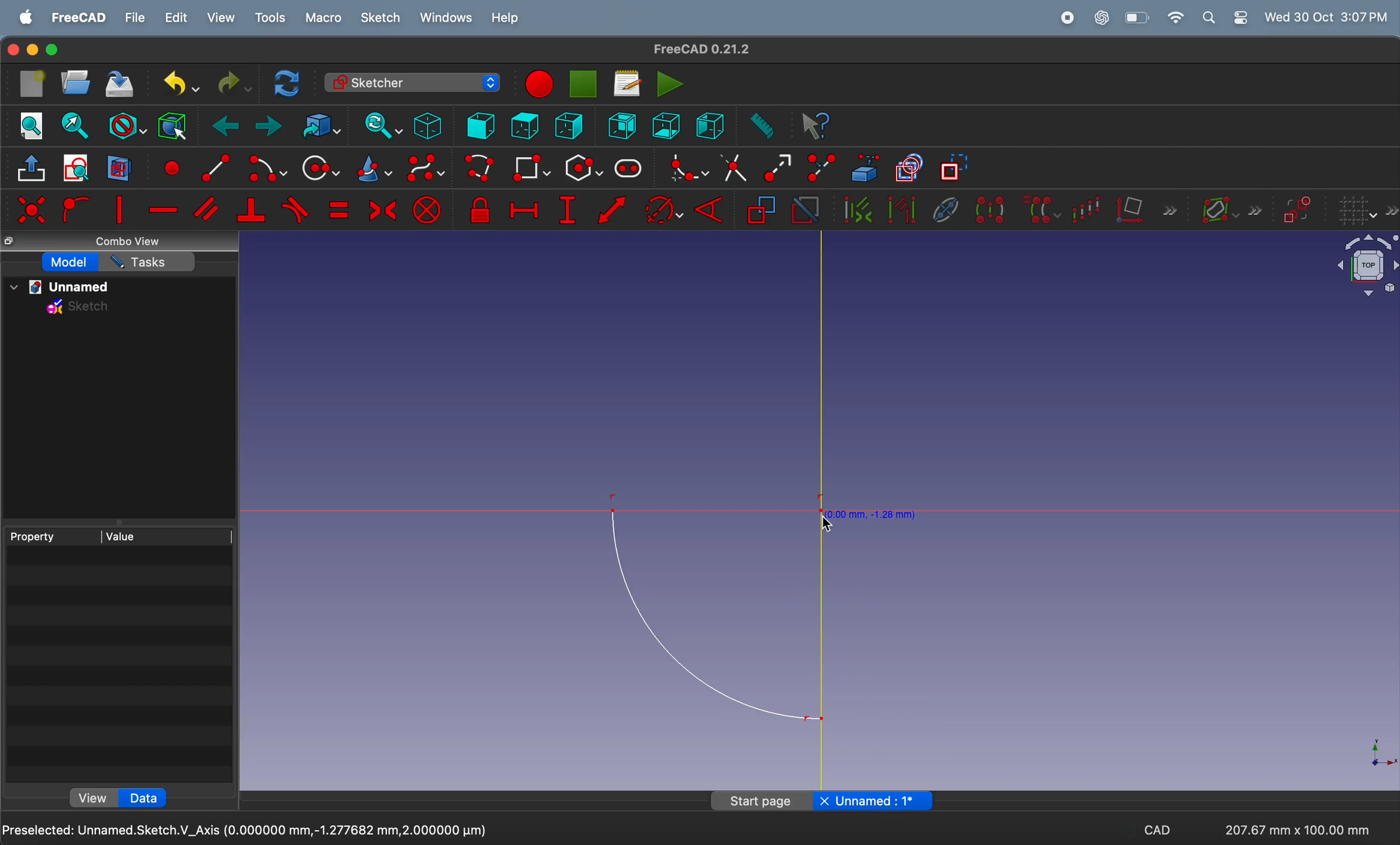  What do you see at coordinates (296, 210) in the screenshot?
I see `constrain tangent` at bounding box center [296, 210].